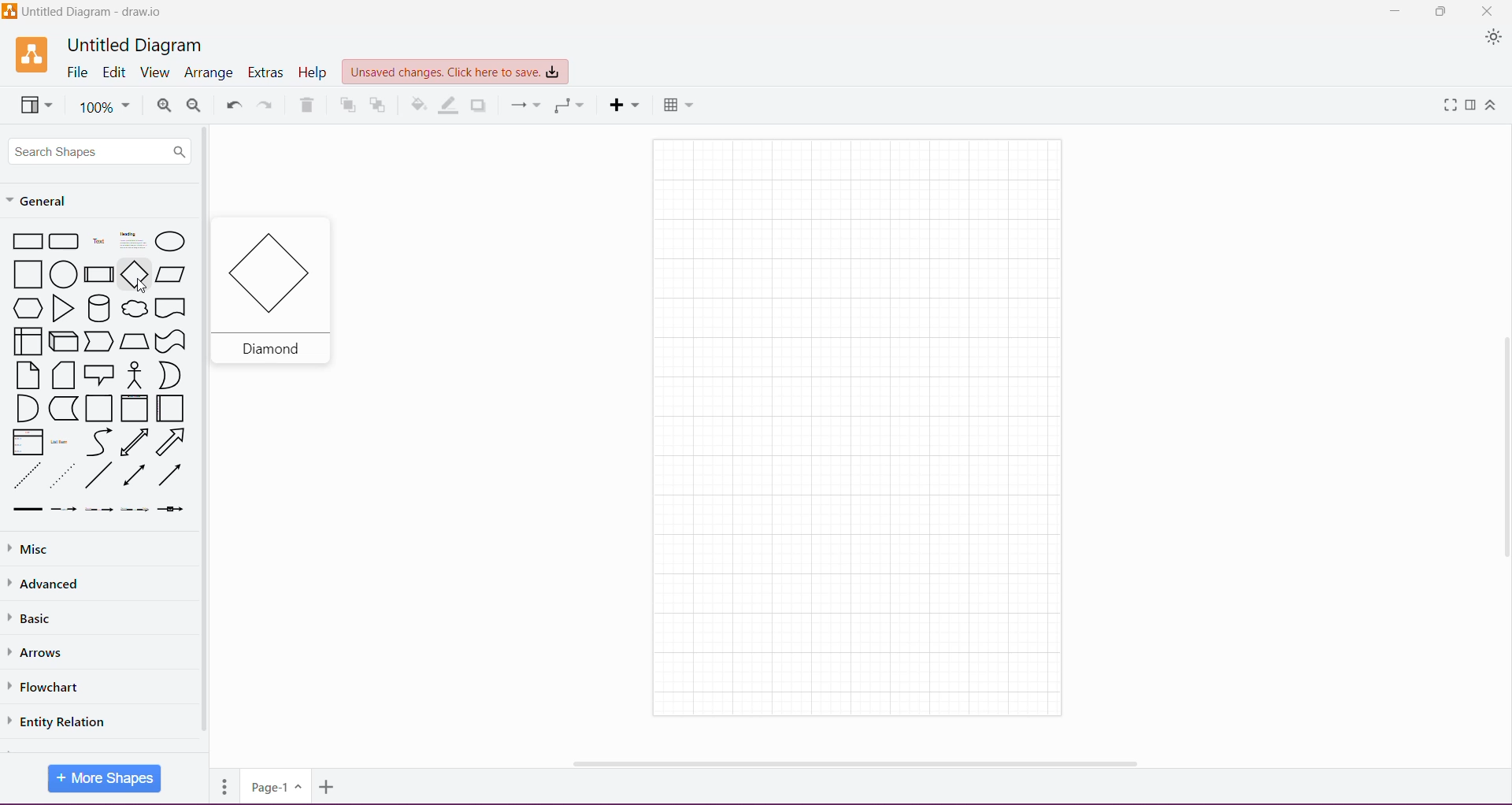  What do you see at coordinates (86, 11) in the screenshot?
I see `Diagram Title - Application Name - Untitled Diagram - draw.io` at bounding box center [86, 11].